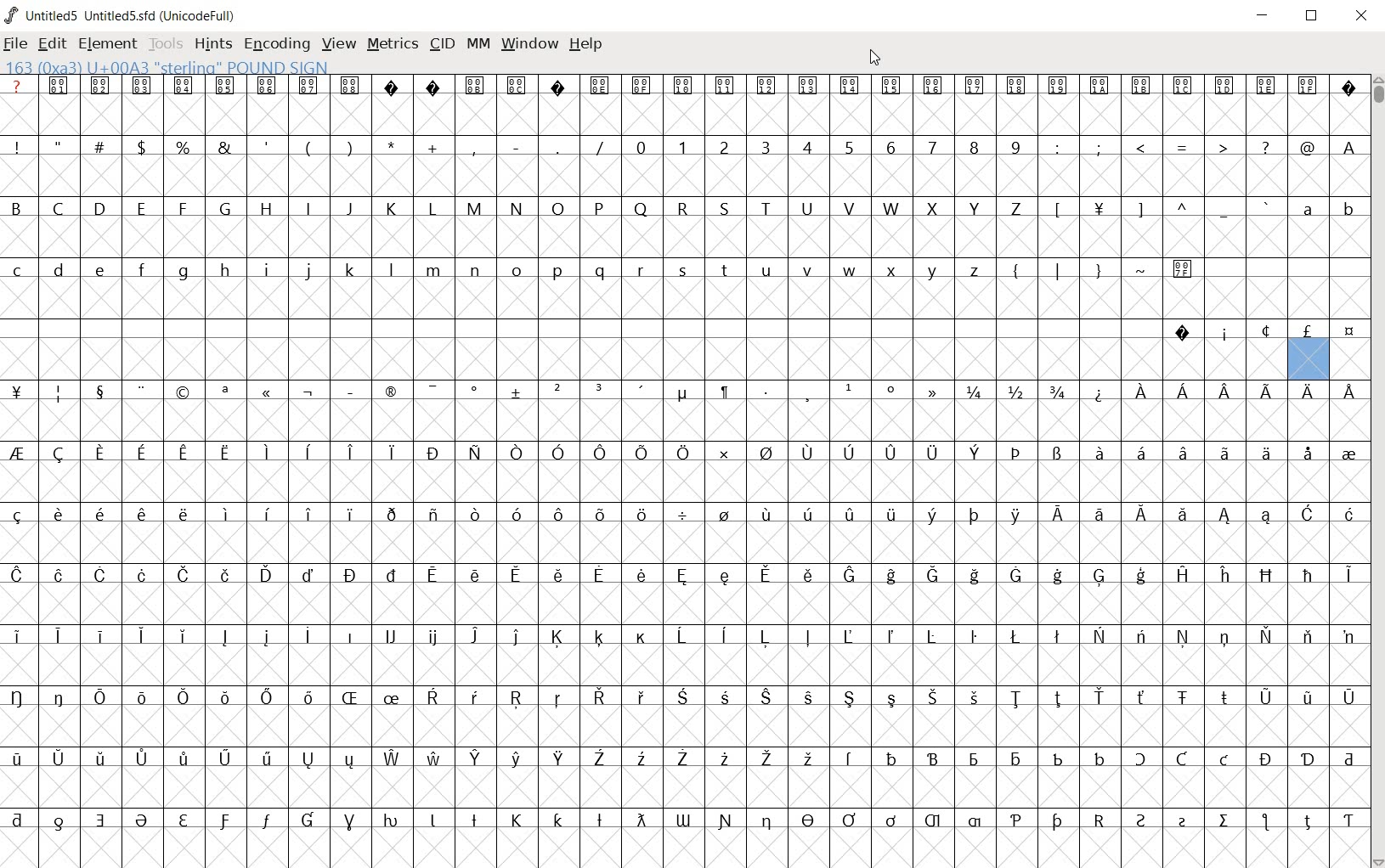  I want to click on Symbol, so click(1098, 211).